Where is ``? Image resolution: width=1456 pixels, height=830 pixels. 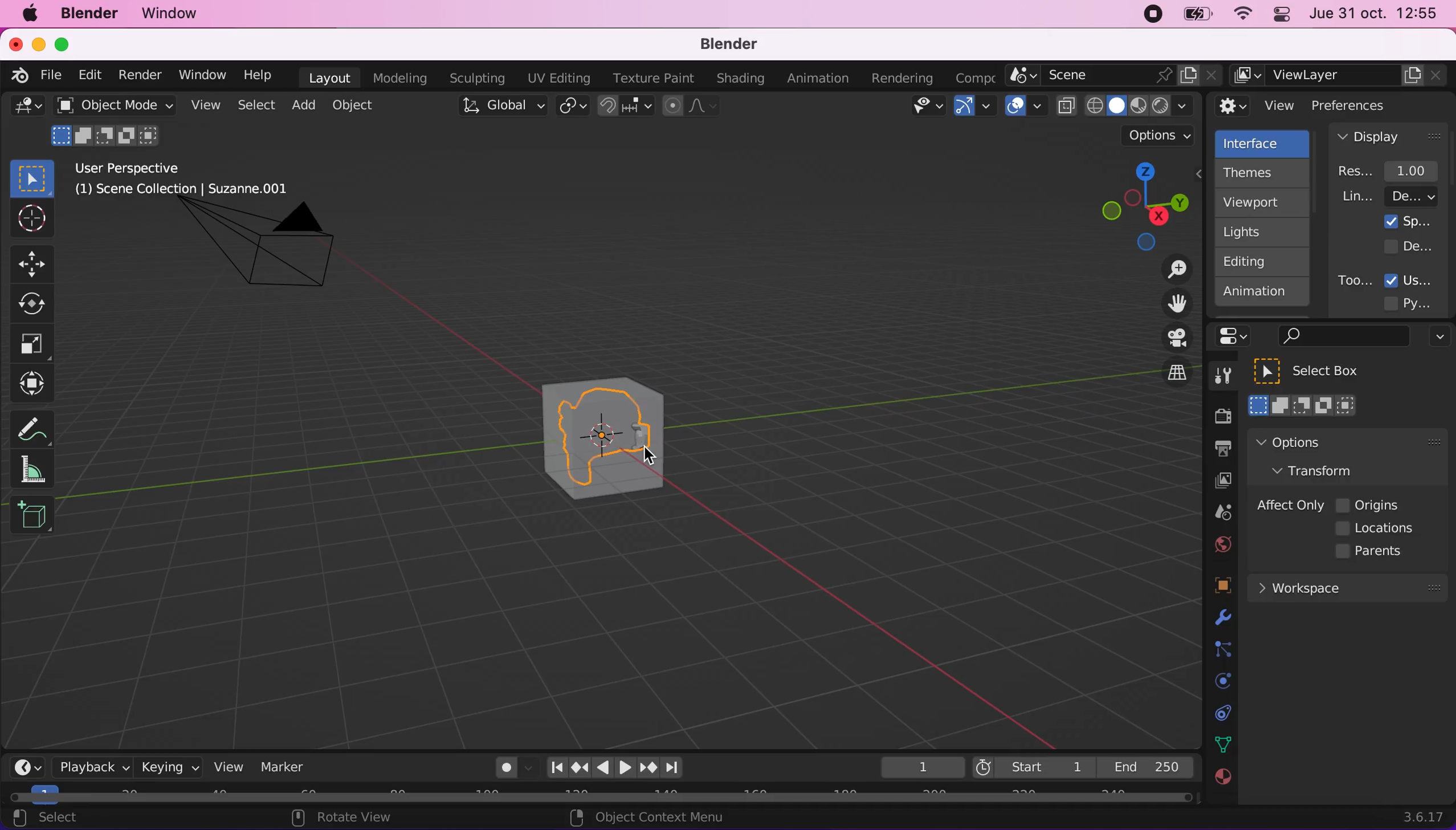  is located at coordinates (38, 304).